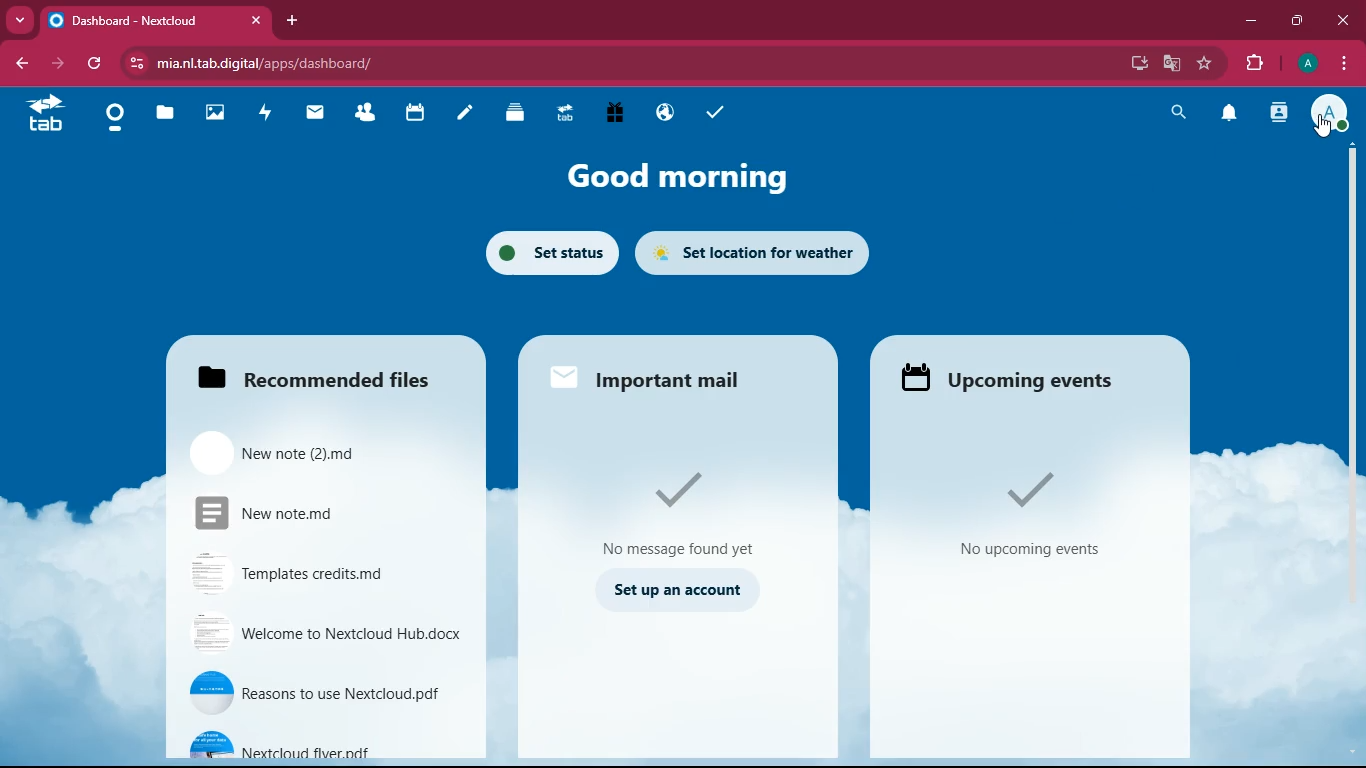  What do you see at coordinates (613, 114) in the screenshot?
I see `Free Trial` at bounding box center [613, 114].